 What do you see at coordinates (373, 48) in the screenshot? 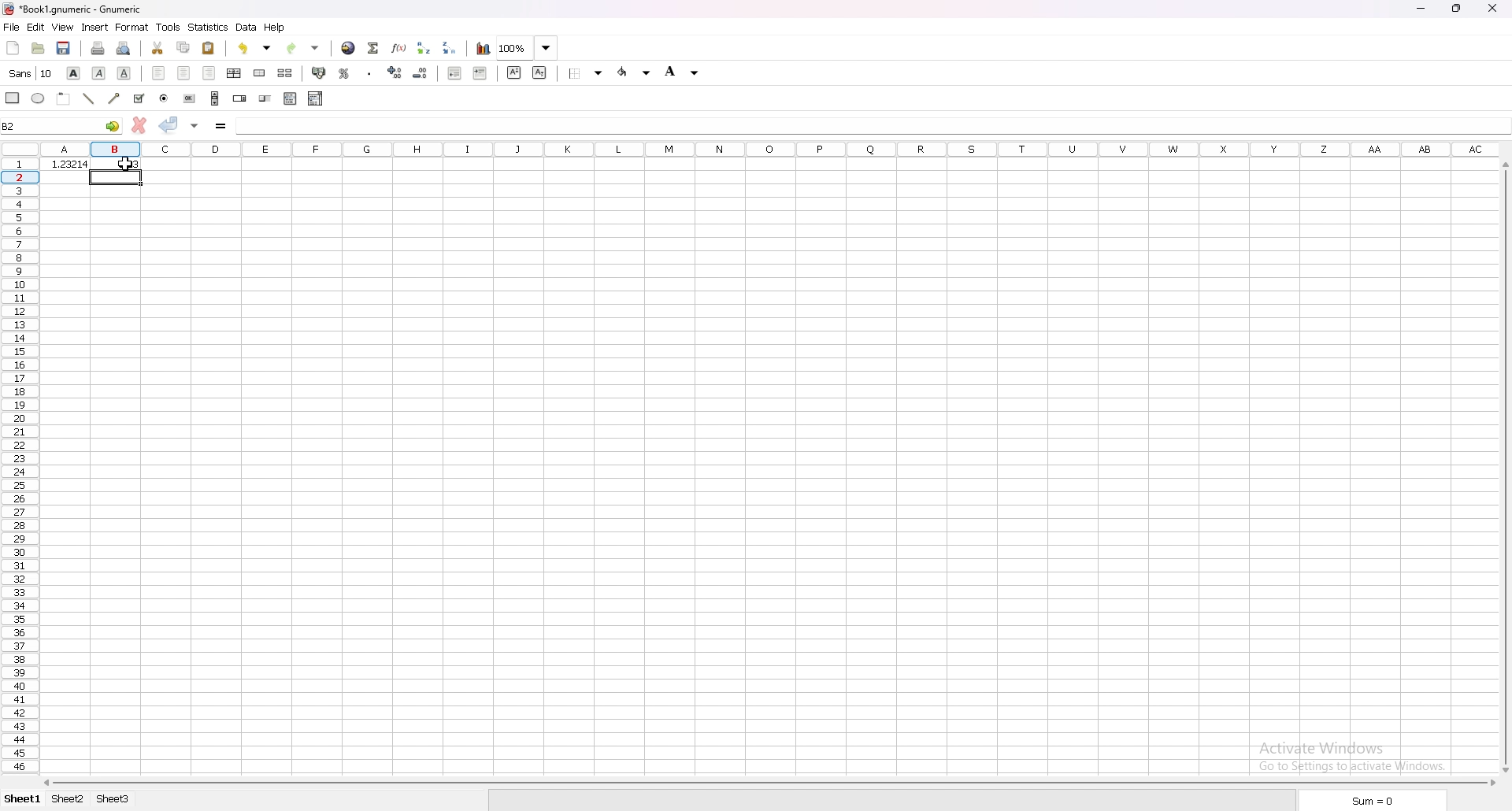
I see `summation` at bounding box center [373, 48].